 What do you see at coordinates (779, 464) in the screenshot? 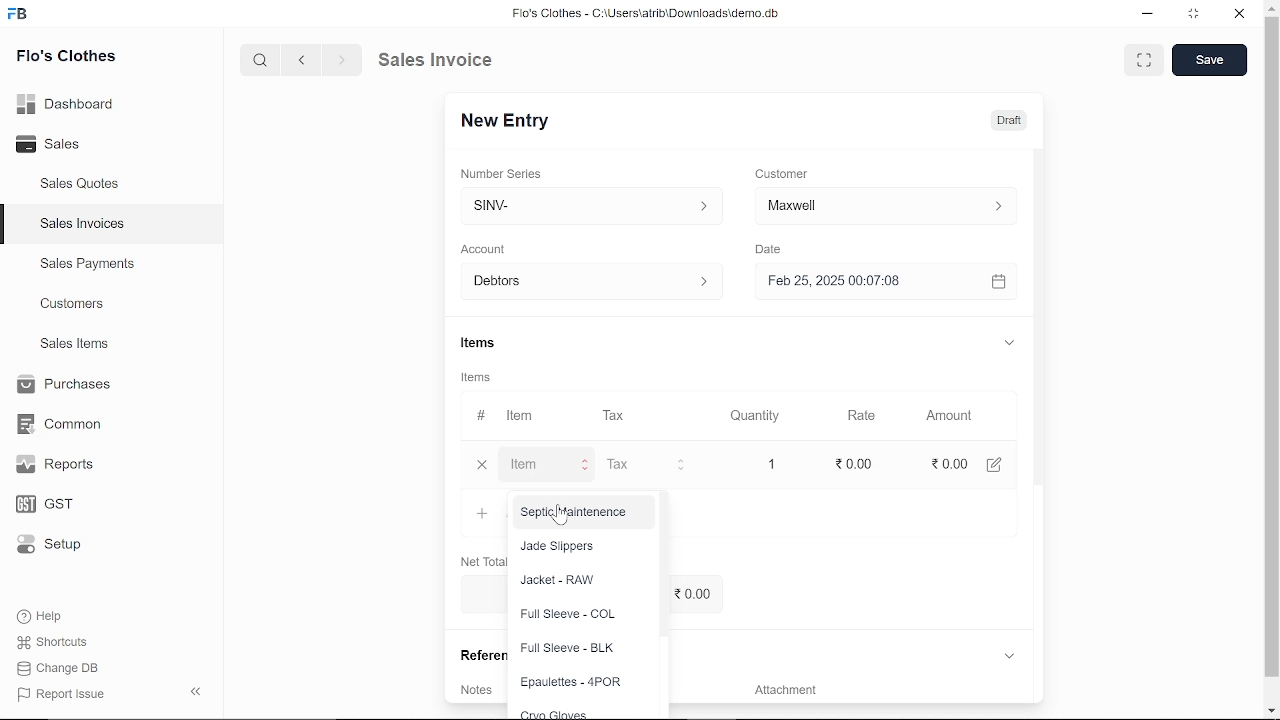
I see `1` at bounding box center [779, 464].